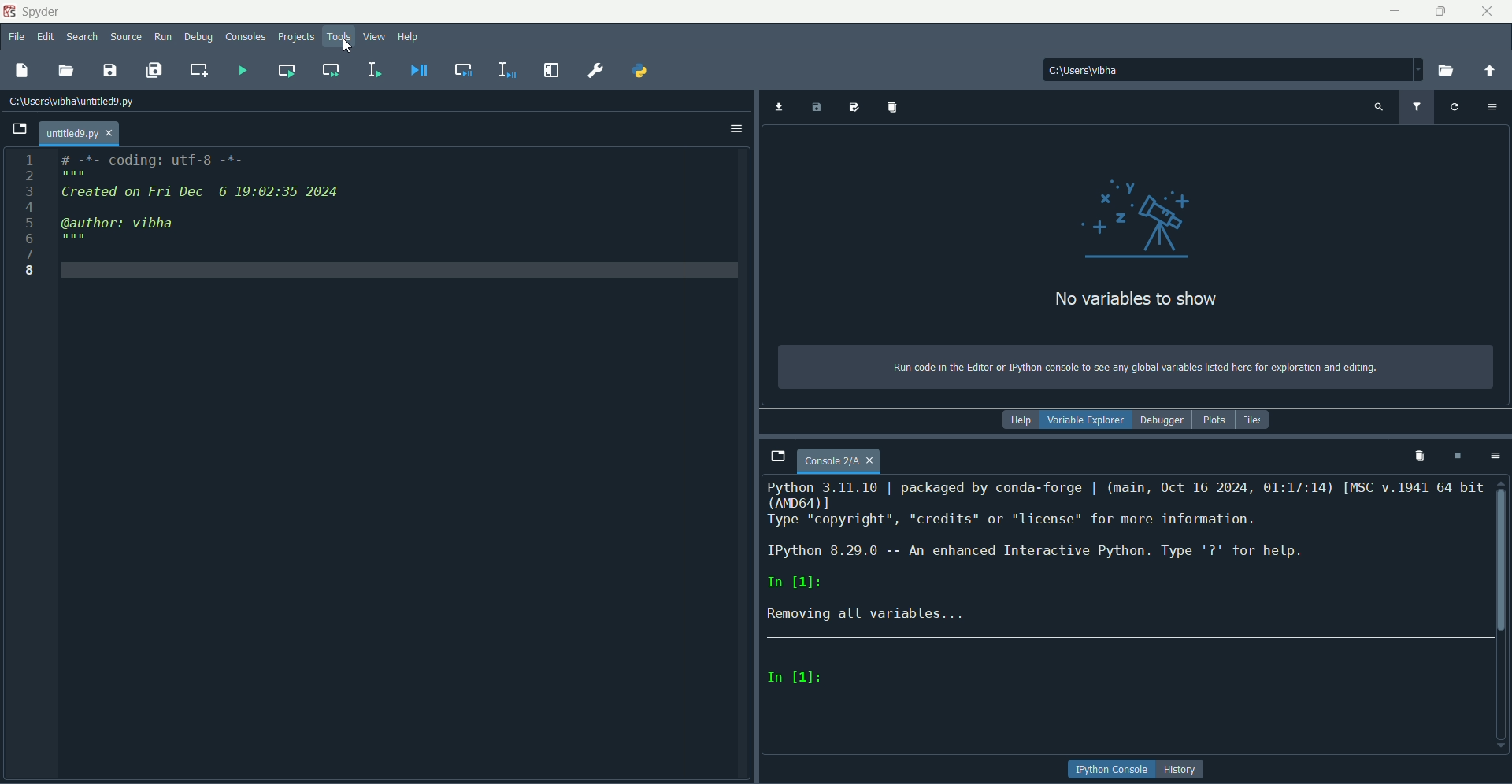  I want to click on create new cell, so click(199, 69).